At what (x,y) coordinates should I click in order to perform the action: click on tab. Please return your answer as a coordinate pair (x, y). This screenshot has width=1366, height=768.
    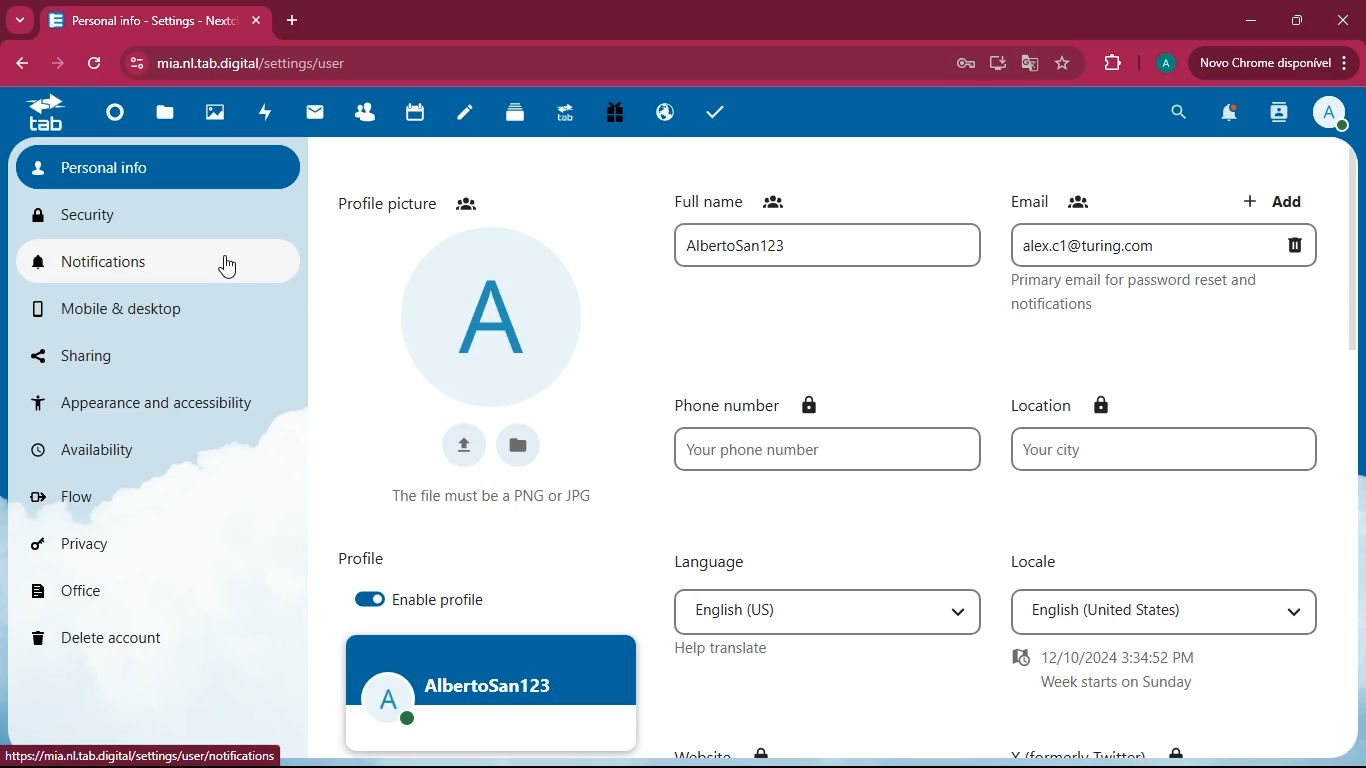
    Looking at the image, I should click on (563, 116).